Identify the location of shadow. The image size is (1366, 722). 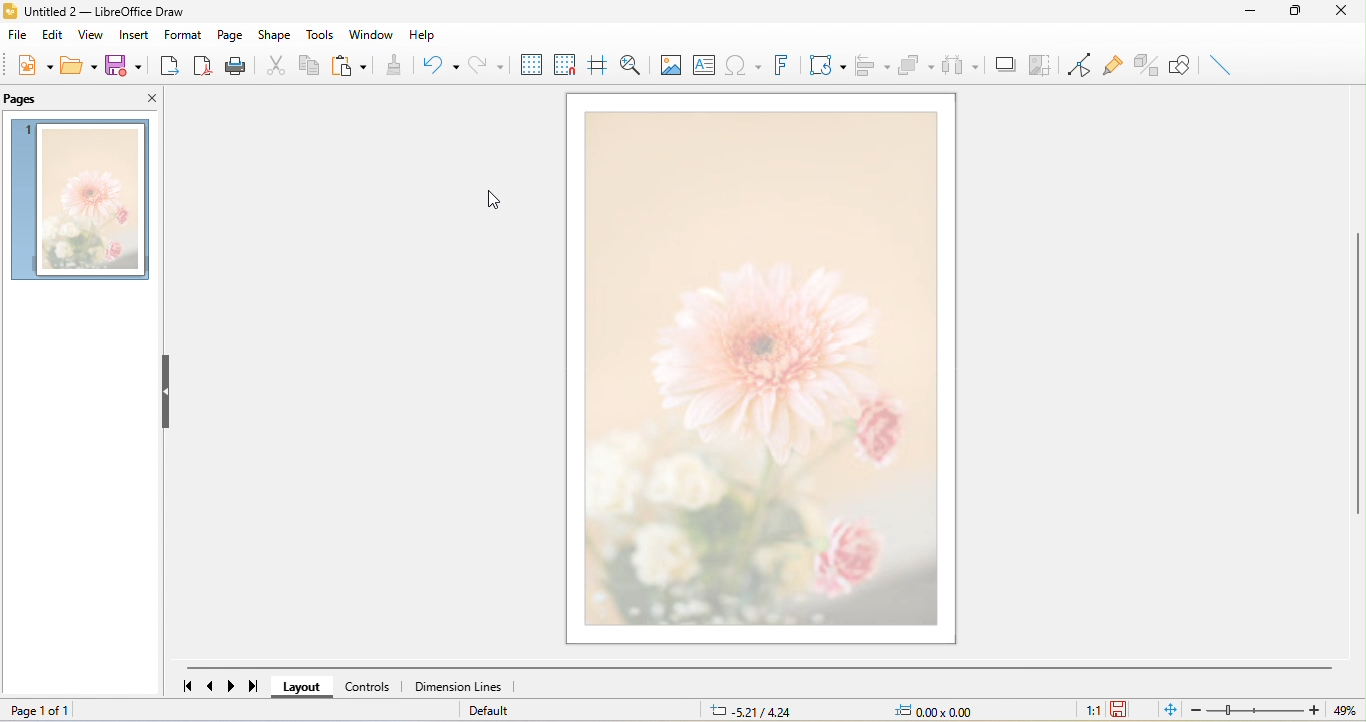
(1002, 62).